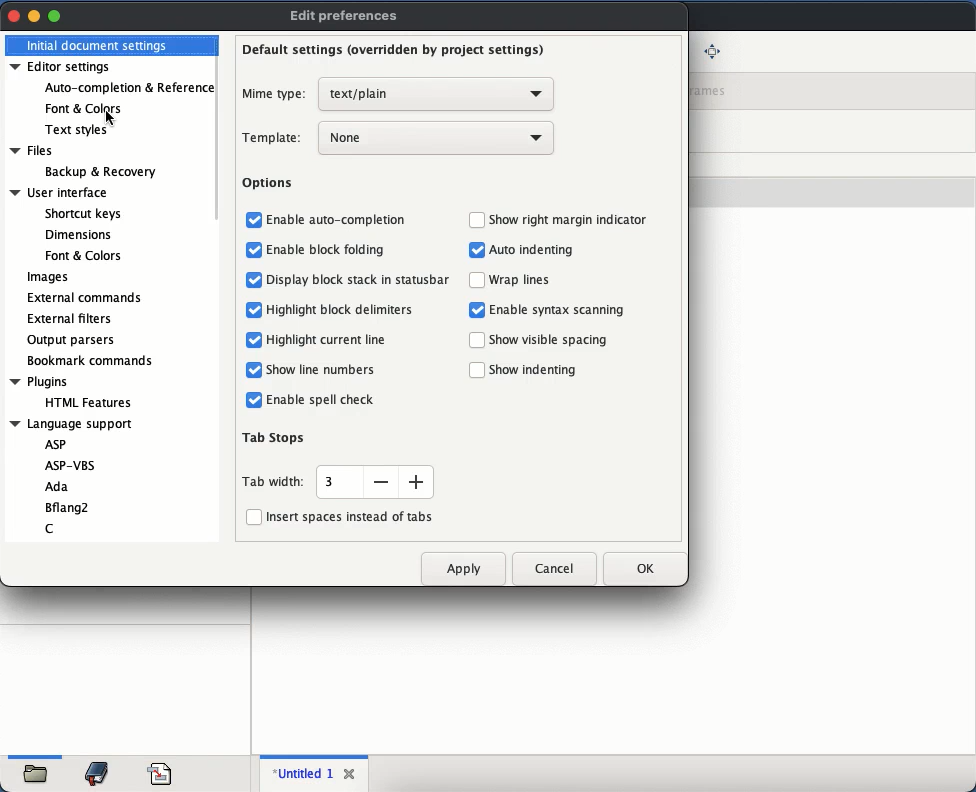 This screenshot has width=976, height=792. I want to click on increase, so click(417, 483).